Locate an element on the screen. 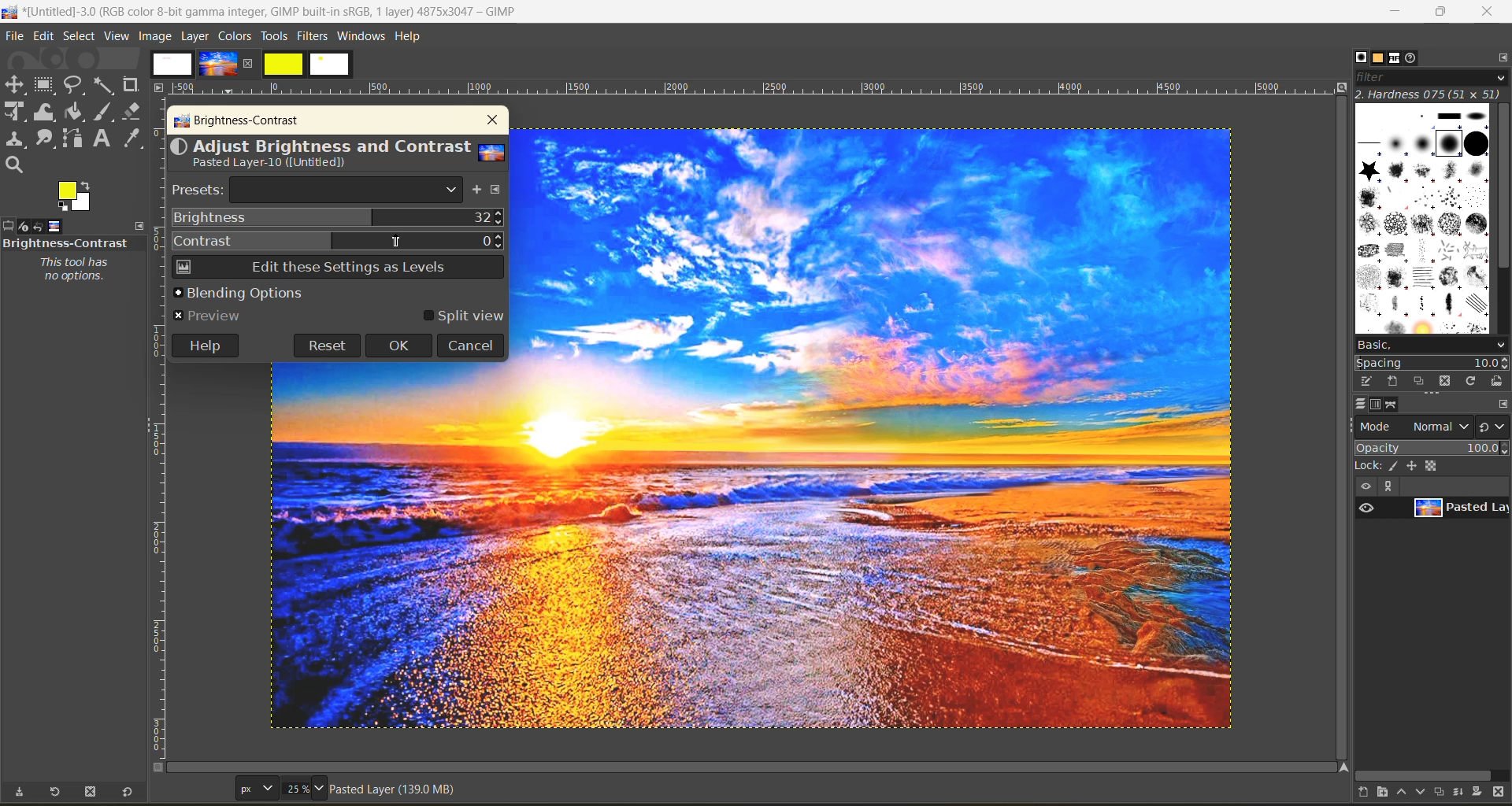  preview is located at coordinates (212, 315).